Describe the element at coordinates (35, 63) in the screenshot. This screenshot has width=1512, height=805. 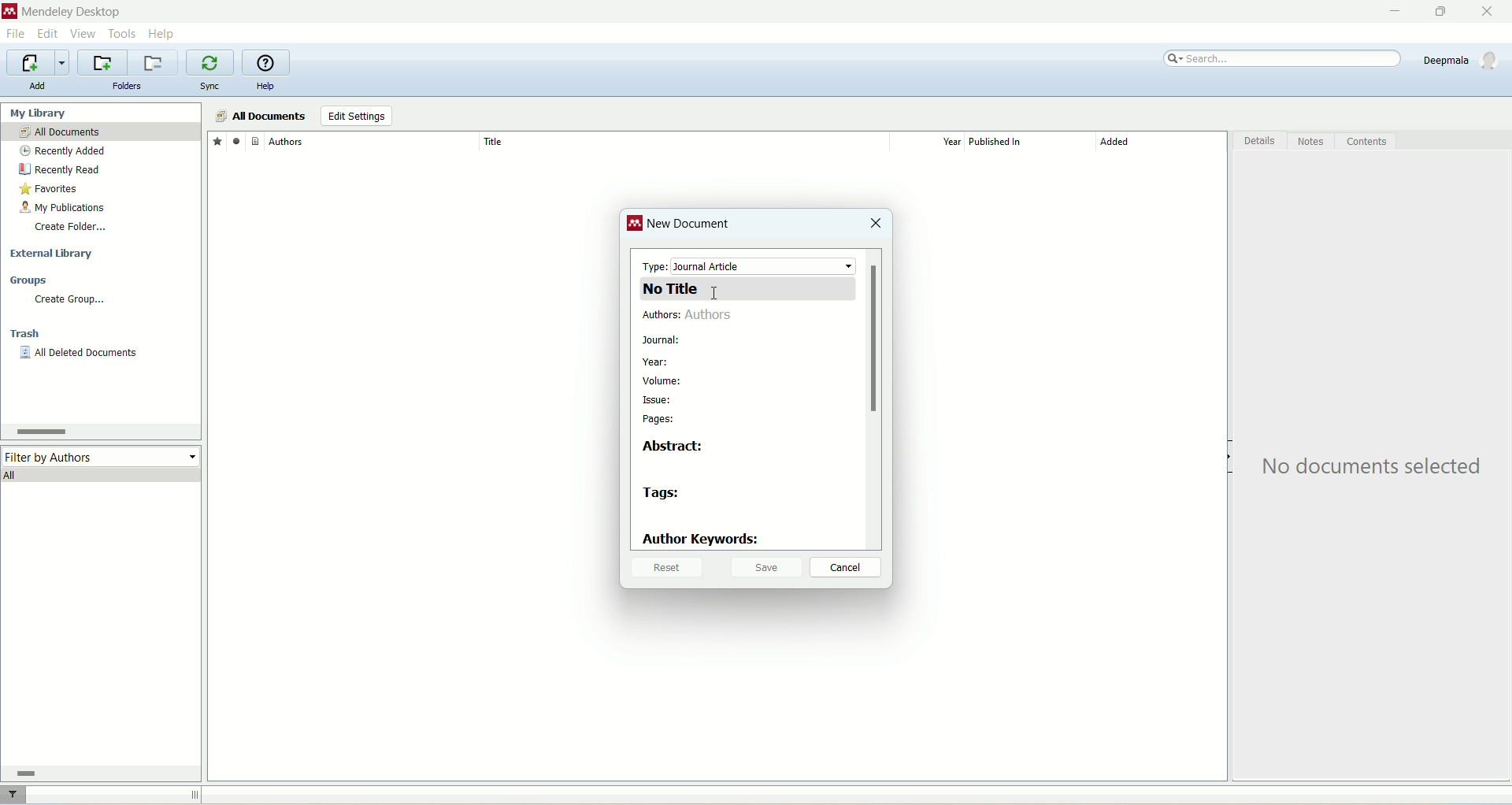
I see `import` at that location.